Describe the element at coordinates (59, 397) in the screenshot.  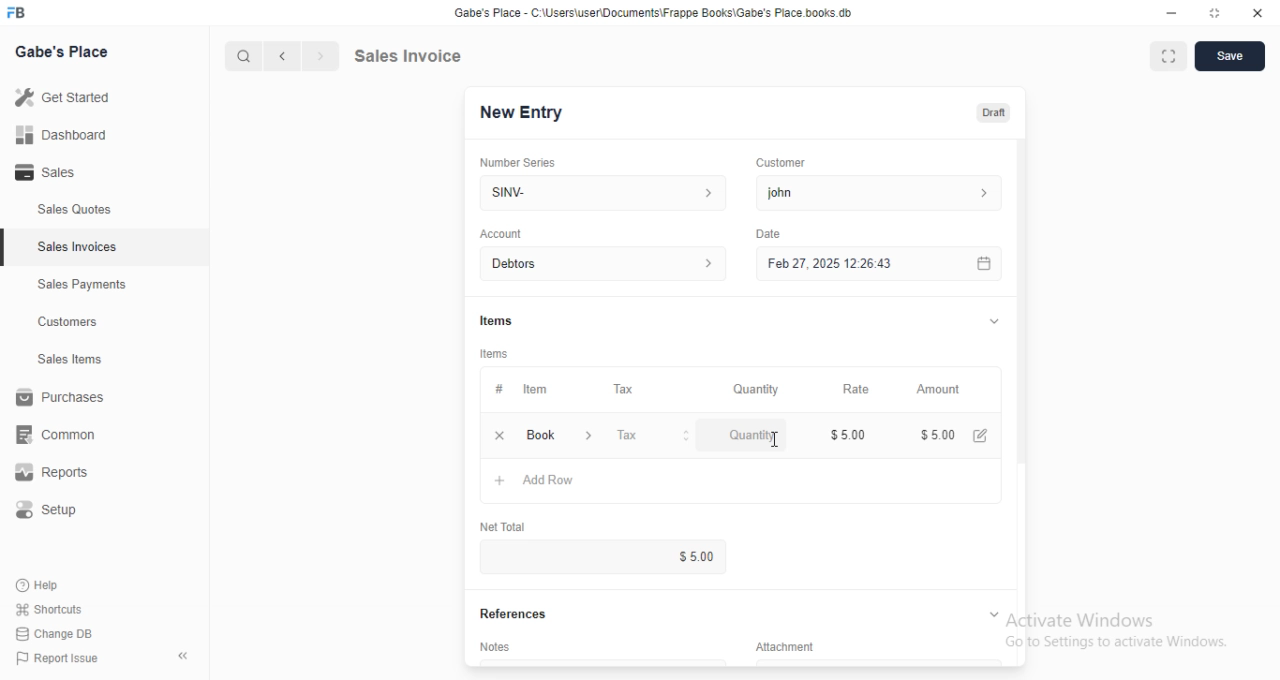
I see `Purchases` at that location.